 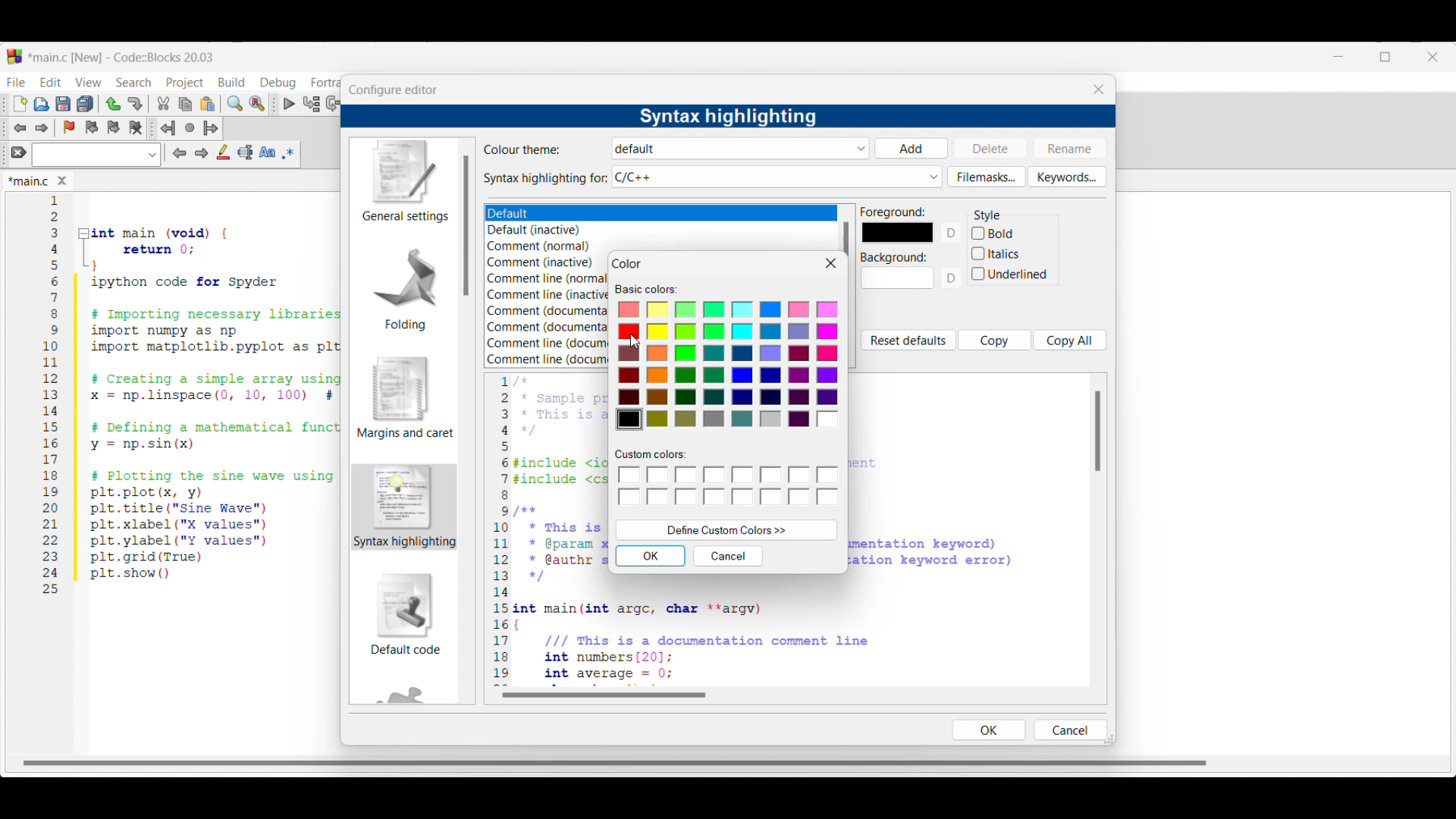 I want to click on Last jump, so click(x=190, y=127).